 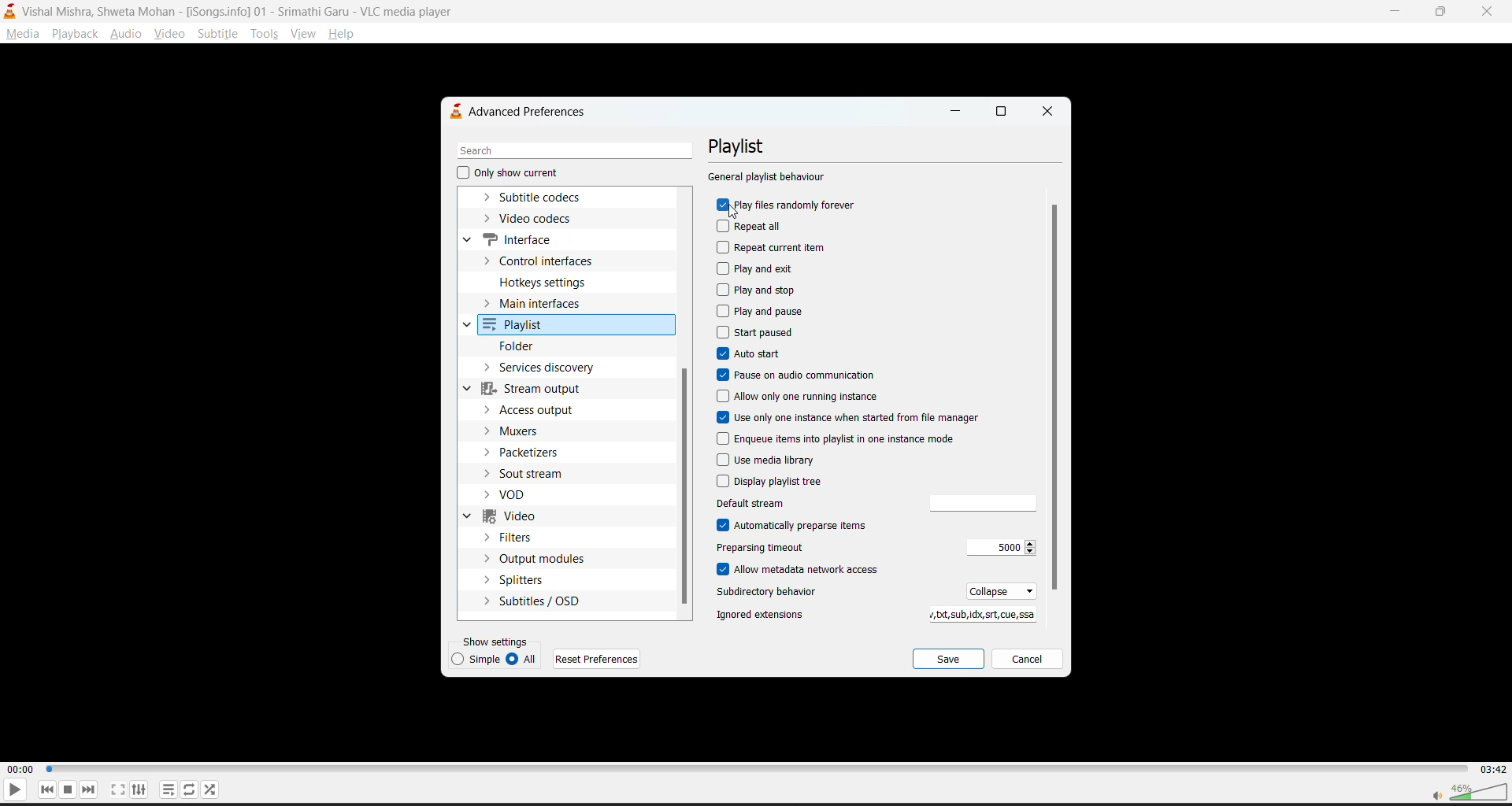 I want to click on access output, so click(x=533, y=412).